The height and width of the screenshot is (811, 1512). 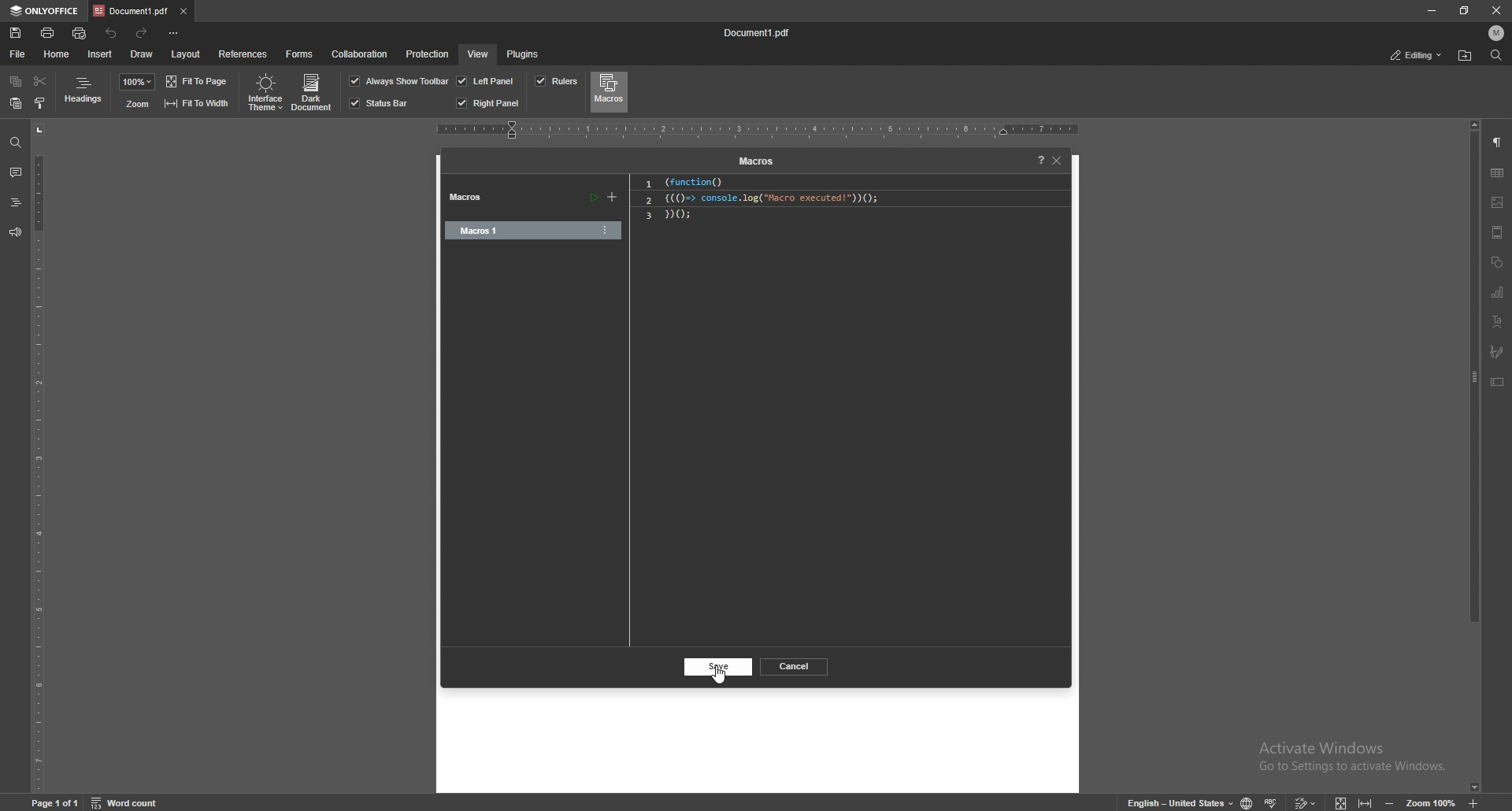 I want to click on plugins, so click(x=524, y=54).